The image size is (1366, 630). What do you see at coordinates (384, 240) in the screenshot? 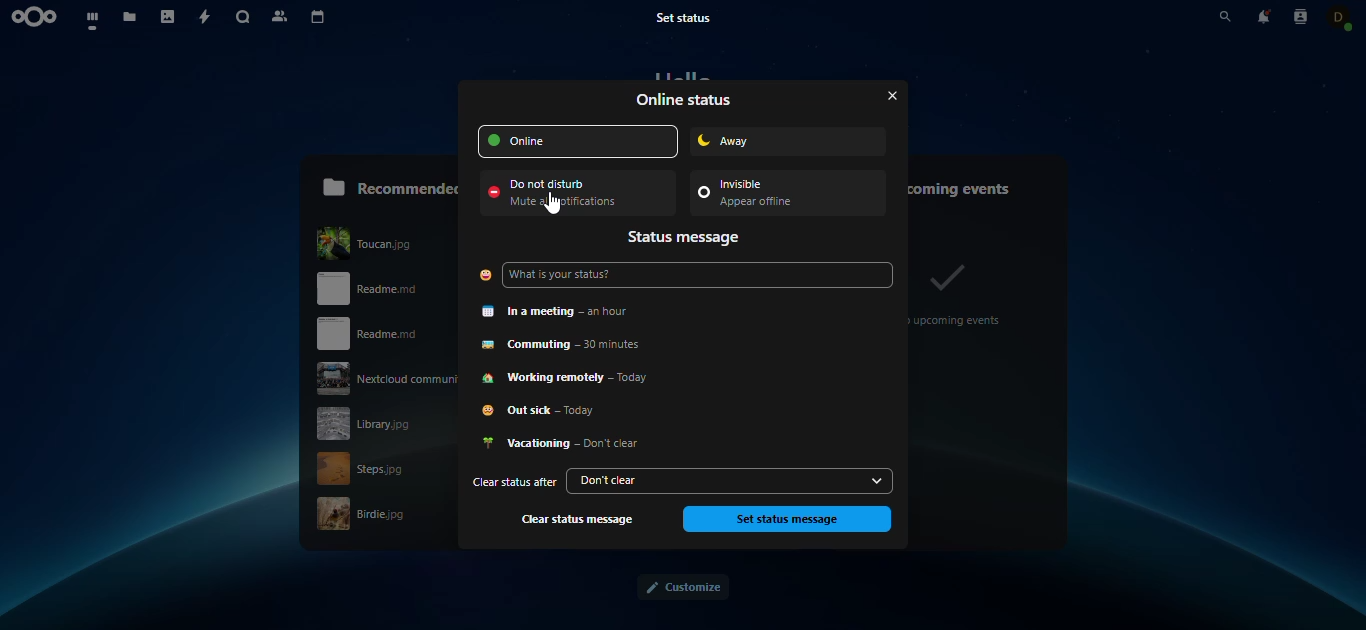
I see `Toucan.jpg` at bounding box center [384, 240].